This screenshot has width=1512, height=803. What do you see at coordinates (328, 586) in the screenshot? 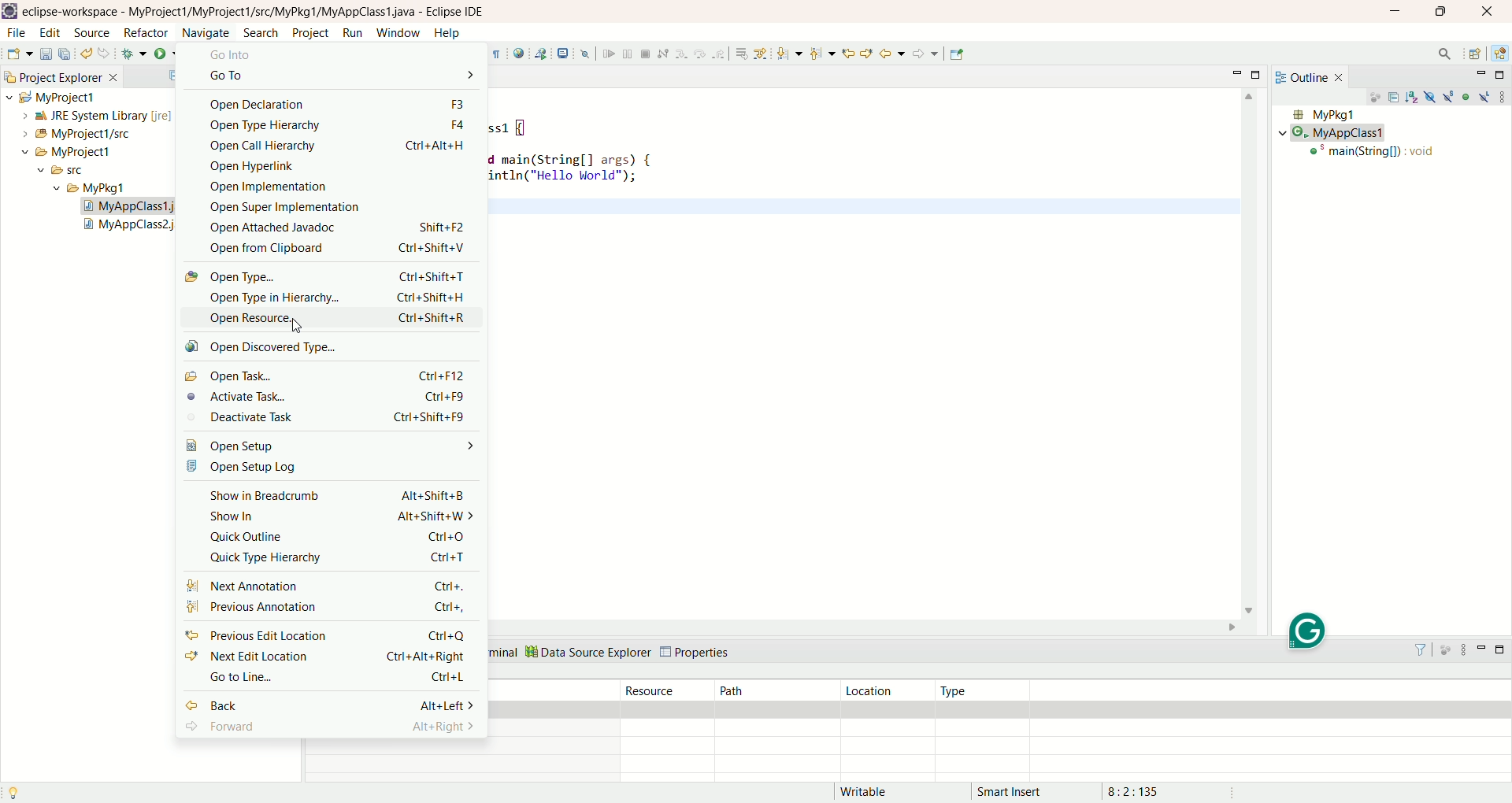
I see `next annotation` at bounding box center [328, 586].